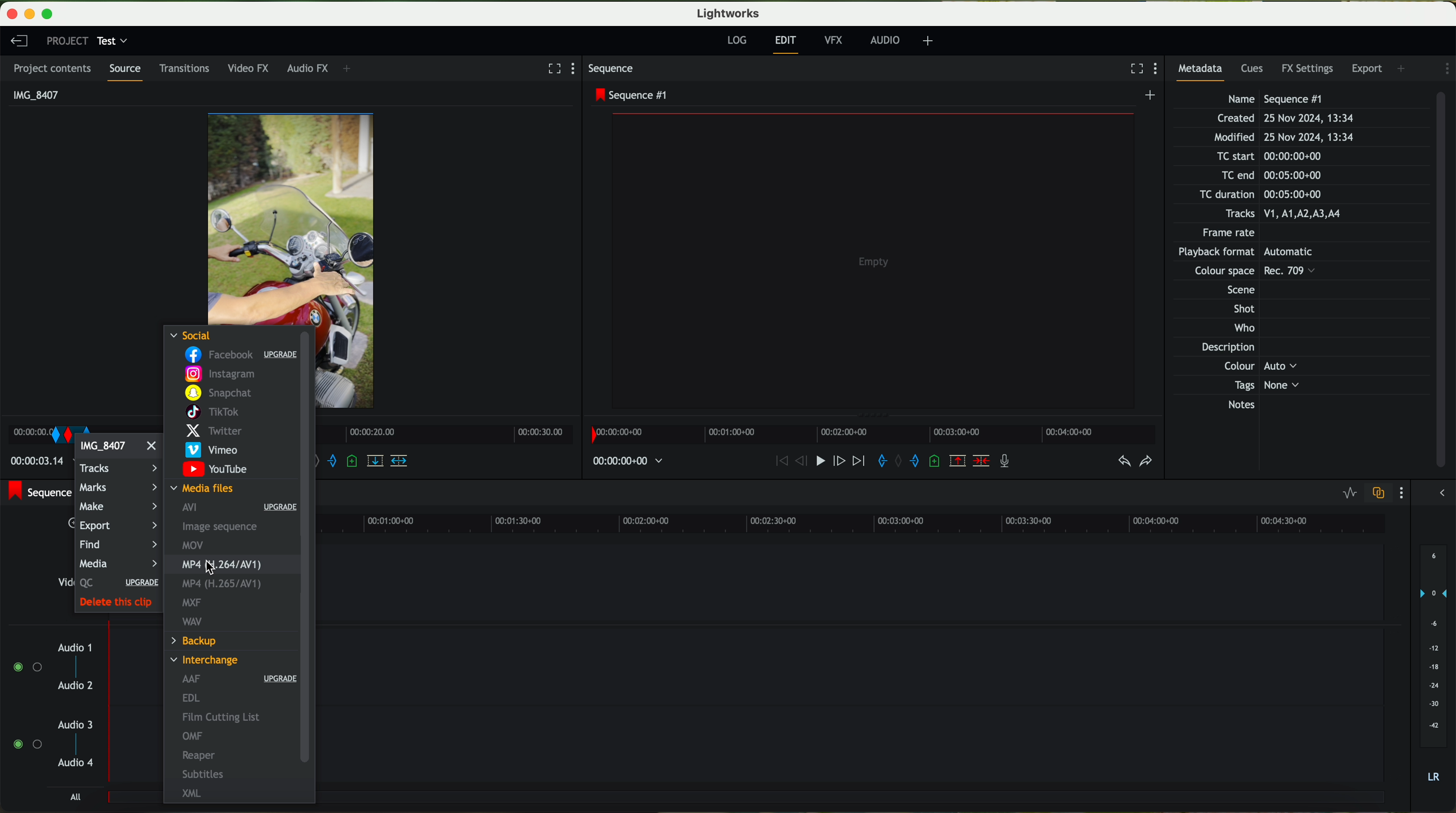 The width and height of the screenshot is (1456, 813). Describe the element at coordinates (552, 68) in the screenshot. I see `fullscreen` at that location.